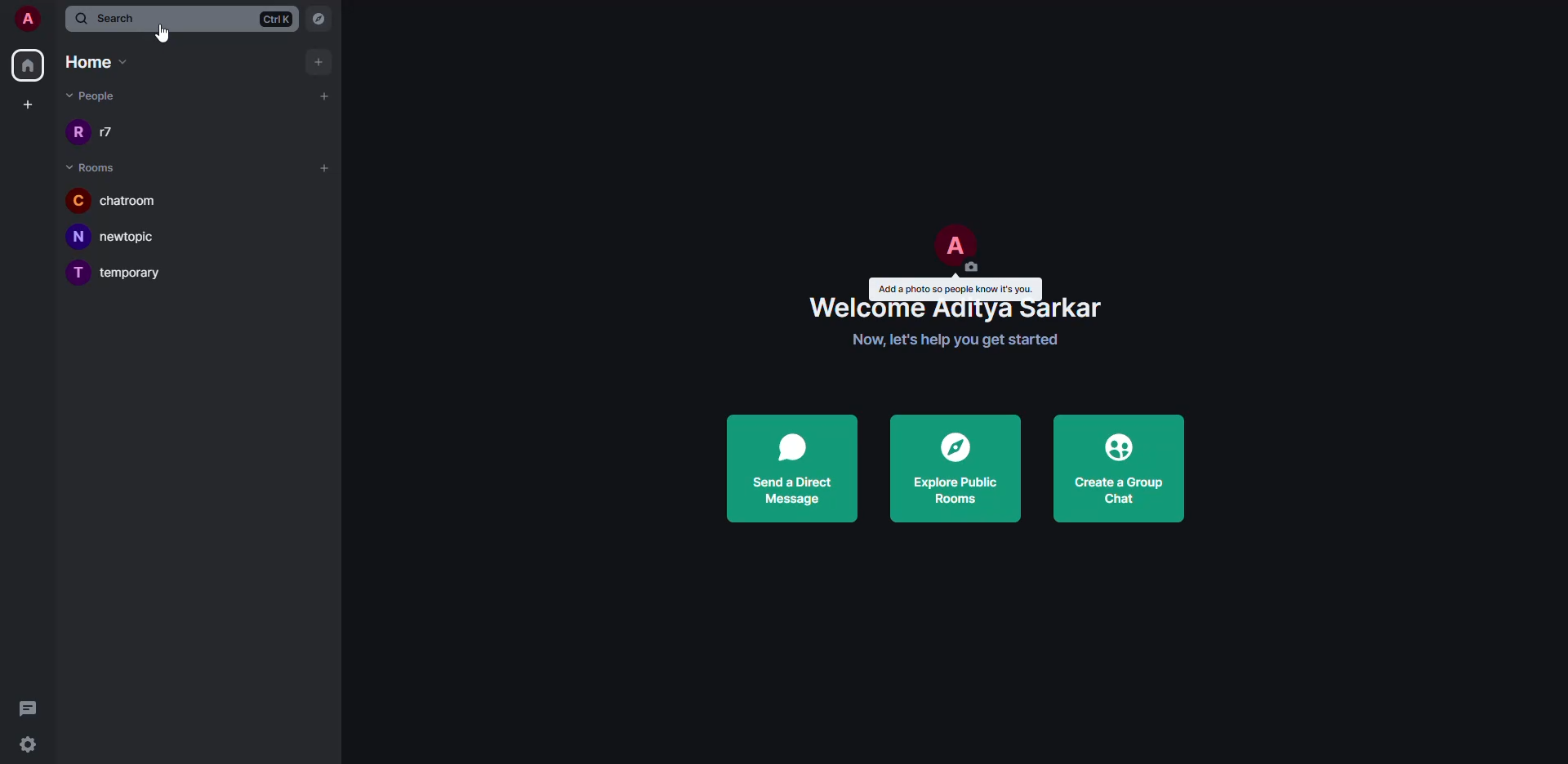 The height and width of the screenshot is (764, 1568). Describe the element at coordinates (275, 18) in the screenshot. I see `ctrlK` at that location.